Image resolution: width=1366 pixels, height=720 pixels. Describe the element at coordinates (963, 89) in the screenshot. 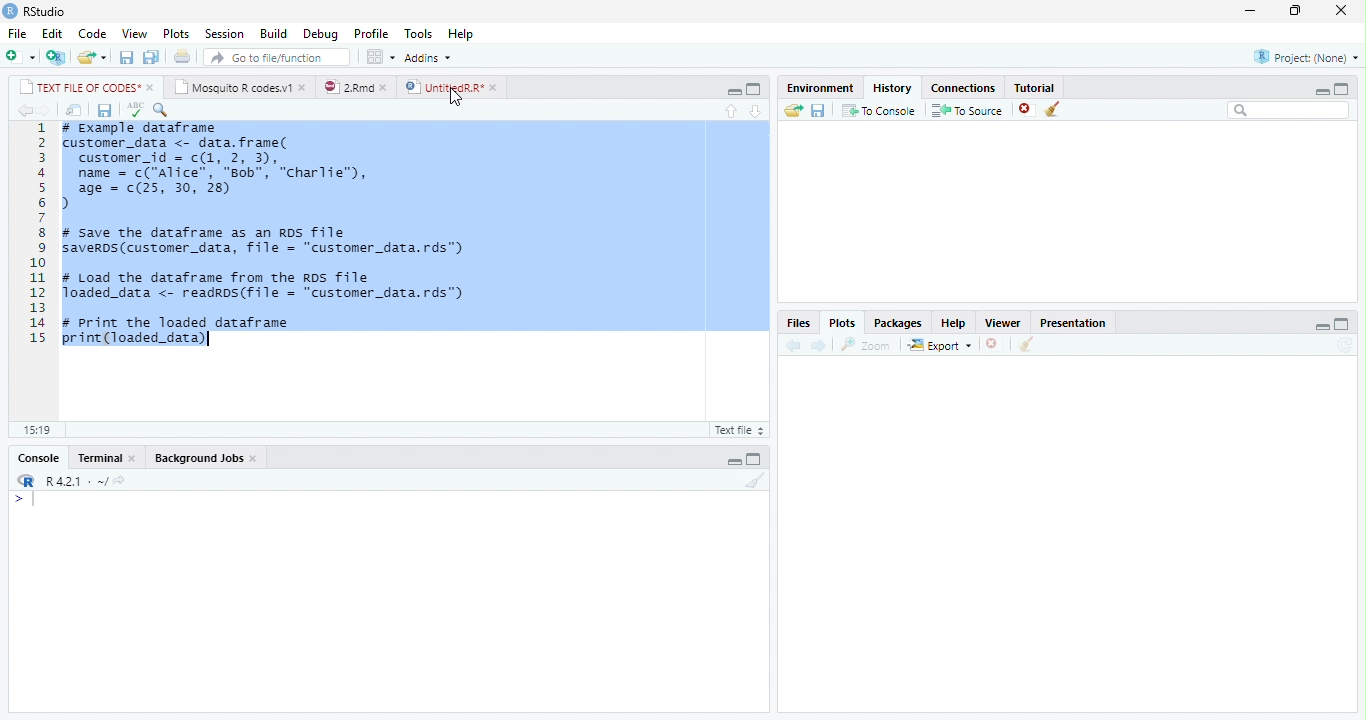

I see `Connections` at that location.